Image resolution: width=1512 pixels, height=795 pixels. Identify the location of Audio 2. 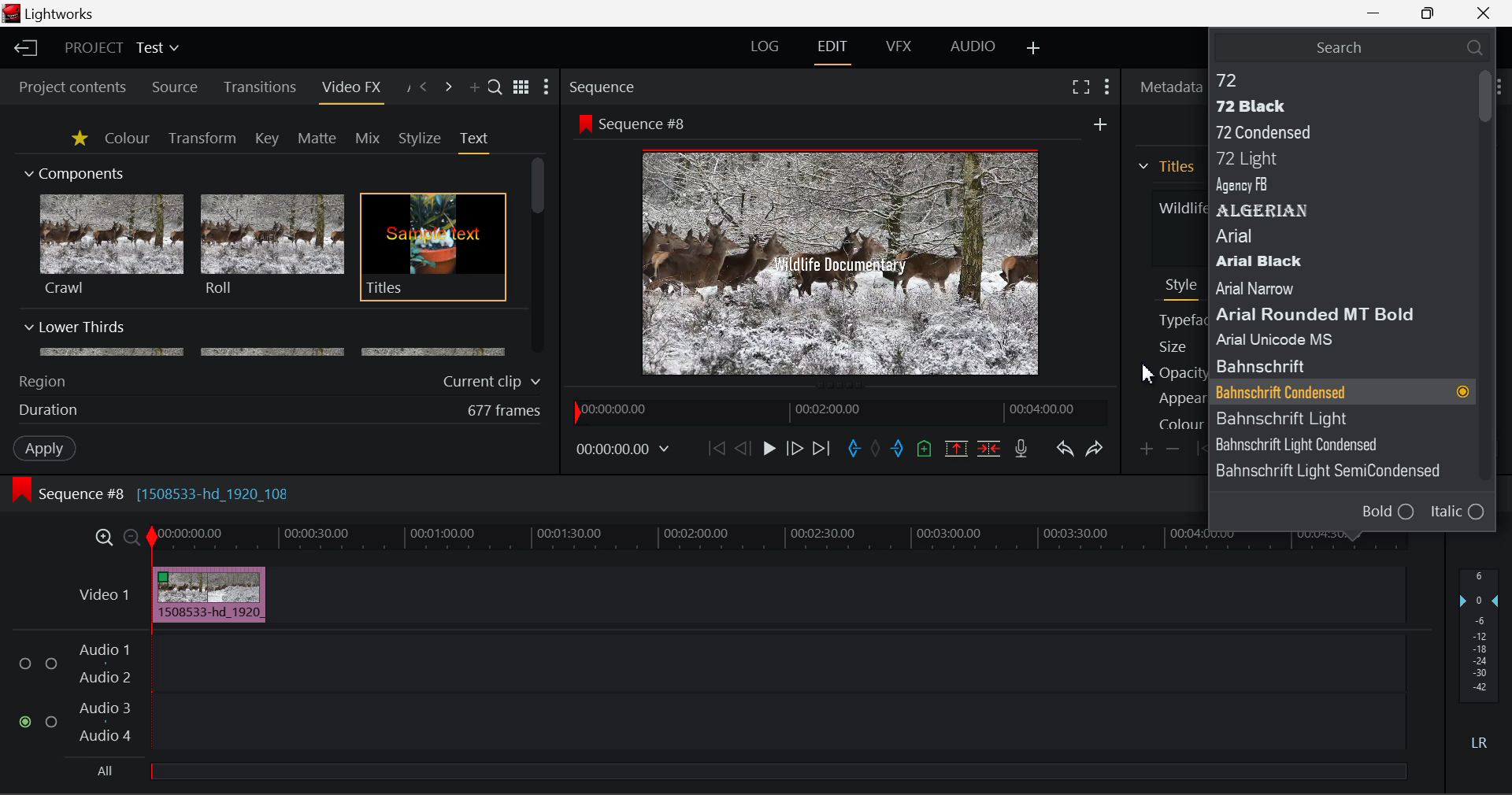
(106, 678).